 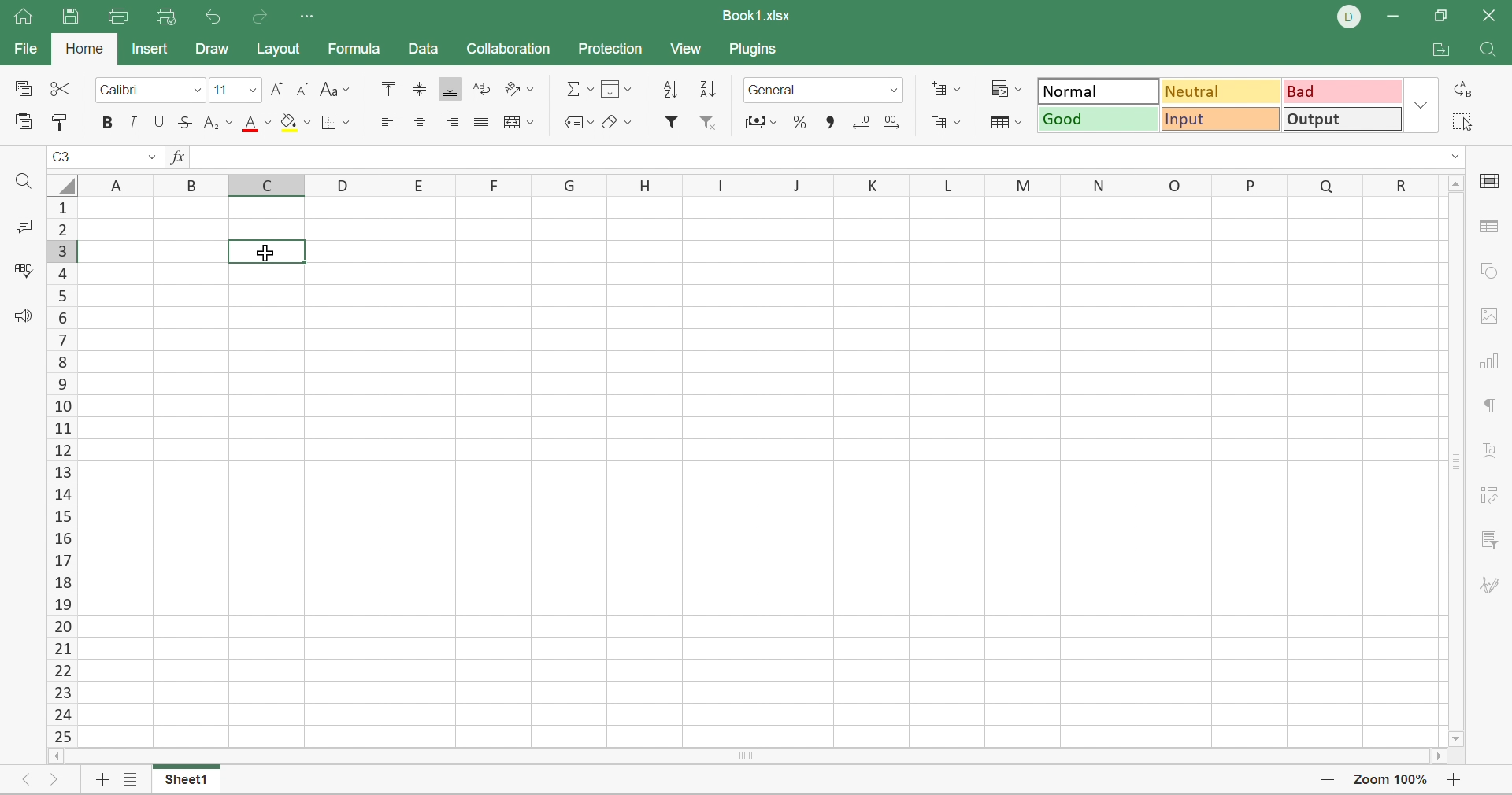 I want to click on Superscript / subscript, so click(x=217, y=124).